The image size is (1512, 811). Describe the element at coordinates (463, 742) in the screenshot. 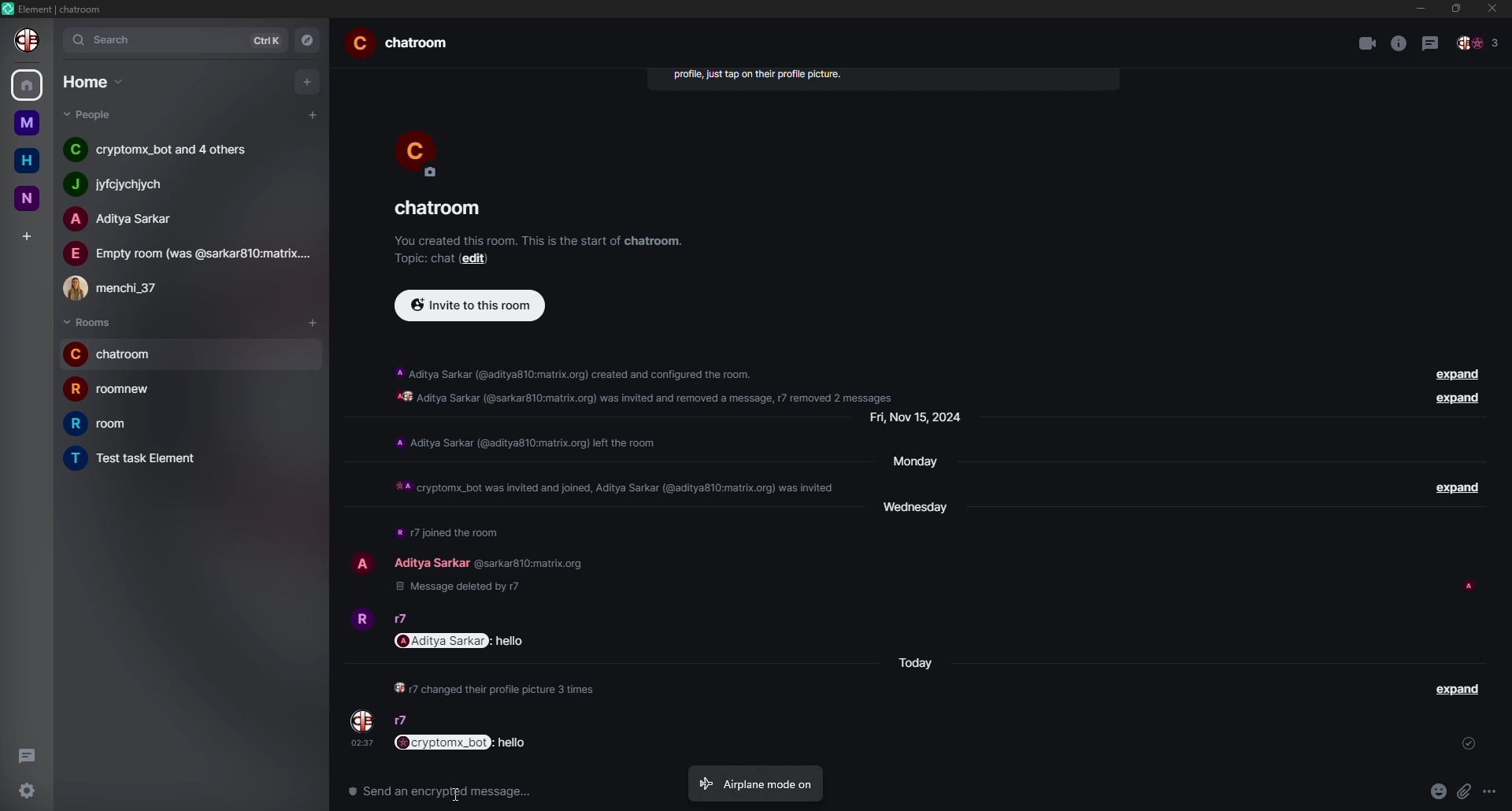

I see `mentioned` at that location.